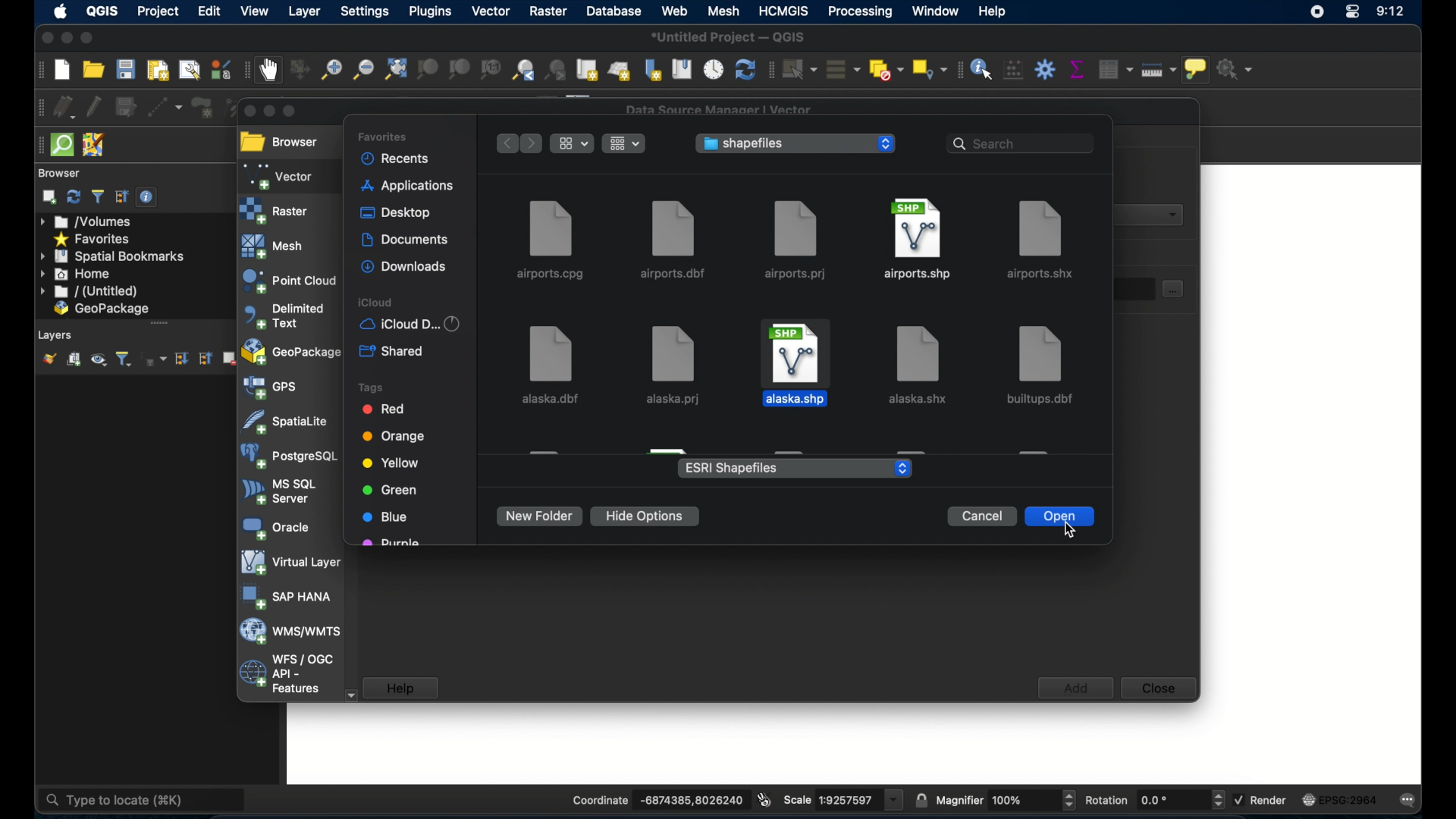  I want to click on new spatial bookmarks, so click(652, 69).